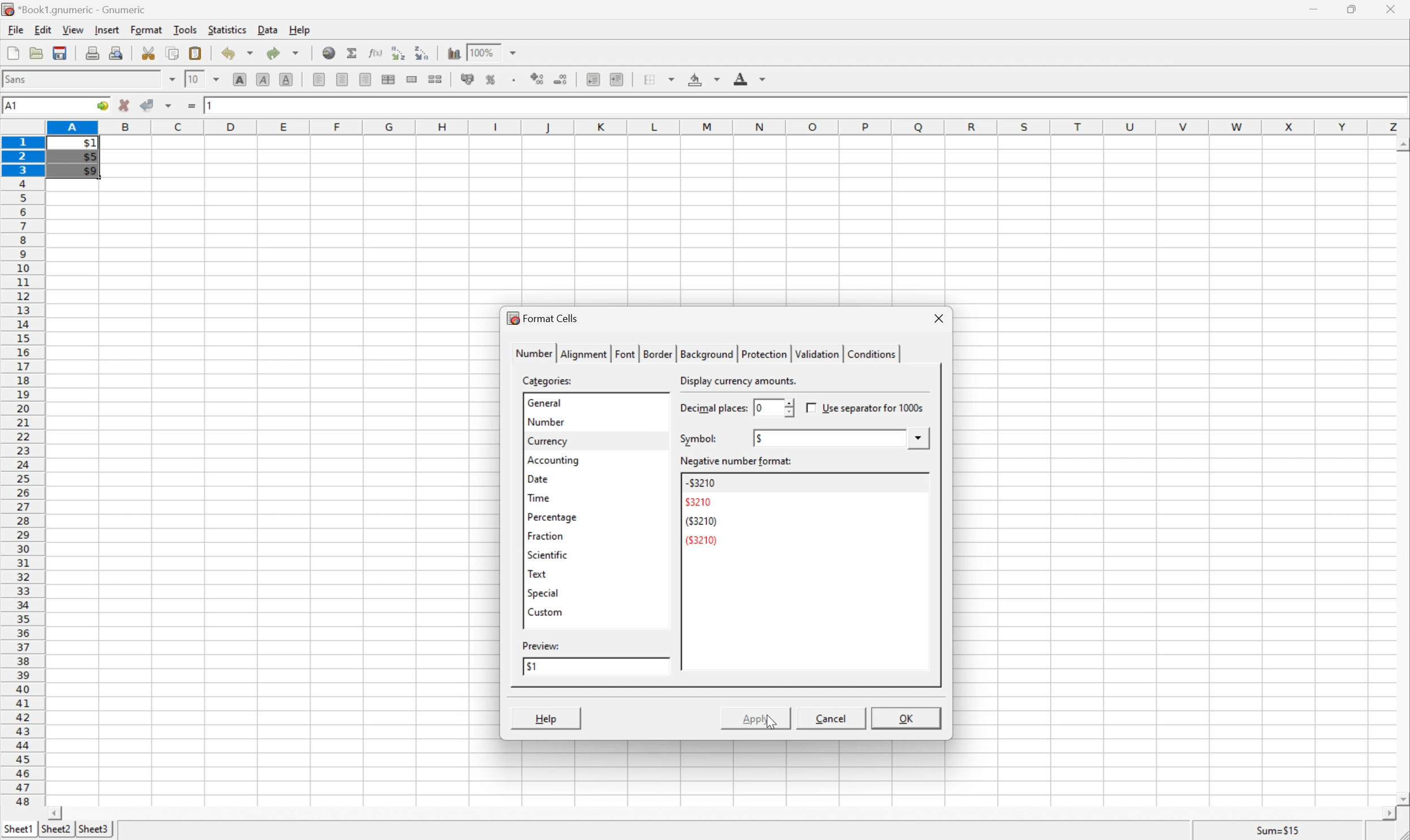 The width and height of the screenshot is (1410, 840). Describe the element at coordinates (730, 128) in the screenshot. I see `column names` at that location.